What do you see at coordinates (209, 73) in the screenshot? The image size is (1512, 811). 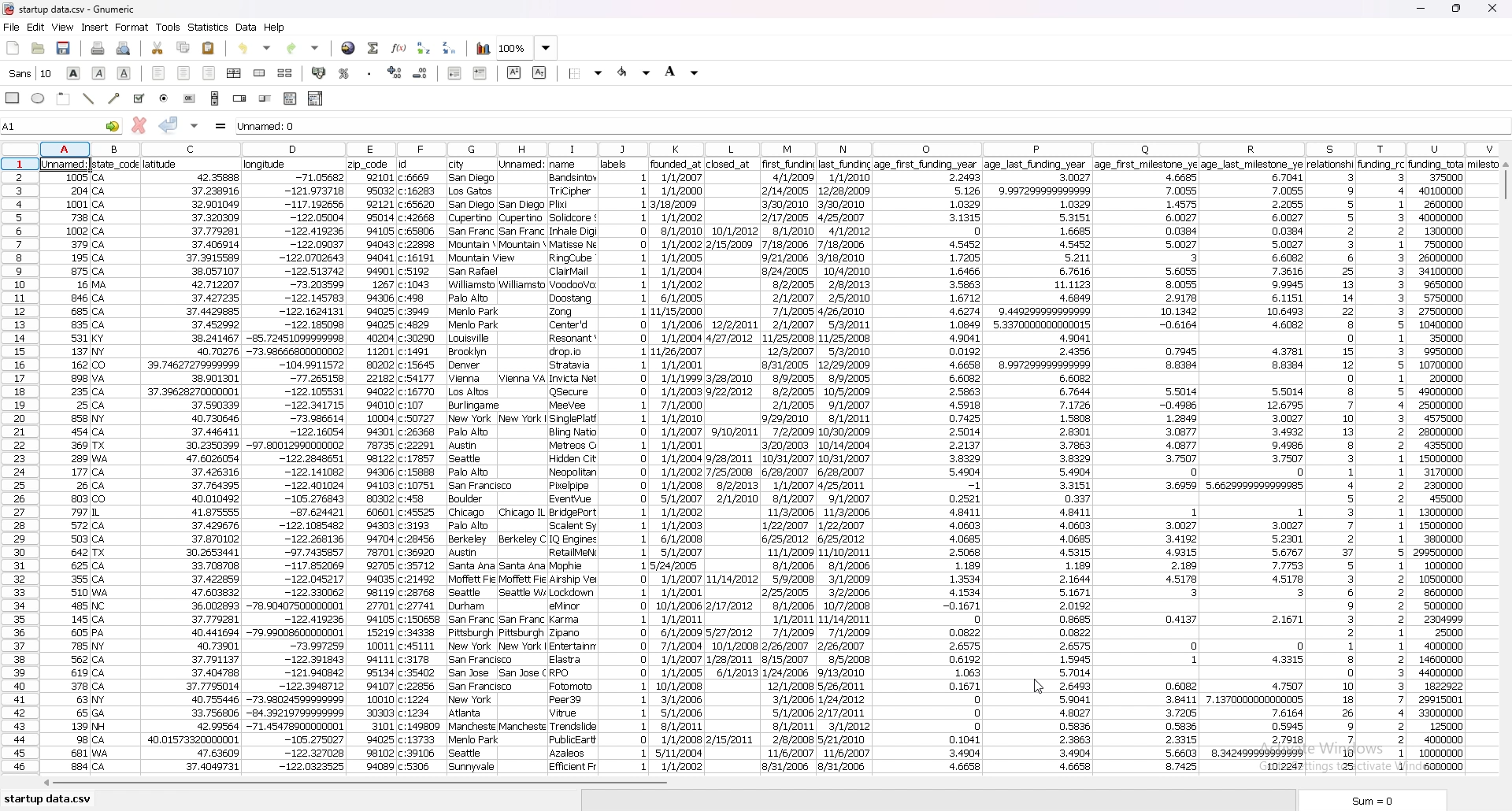 I see `right align` at bounding box center [209, 73].